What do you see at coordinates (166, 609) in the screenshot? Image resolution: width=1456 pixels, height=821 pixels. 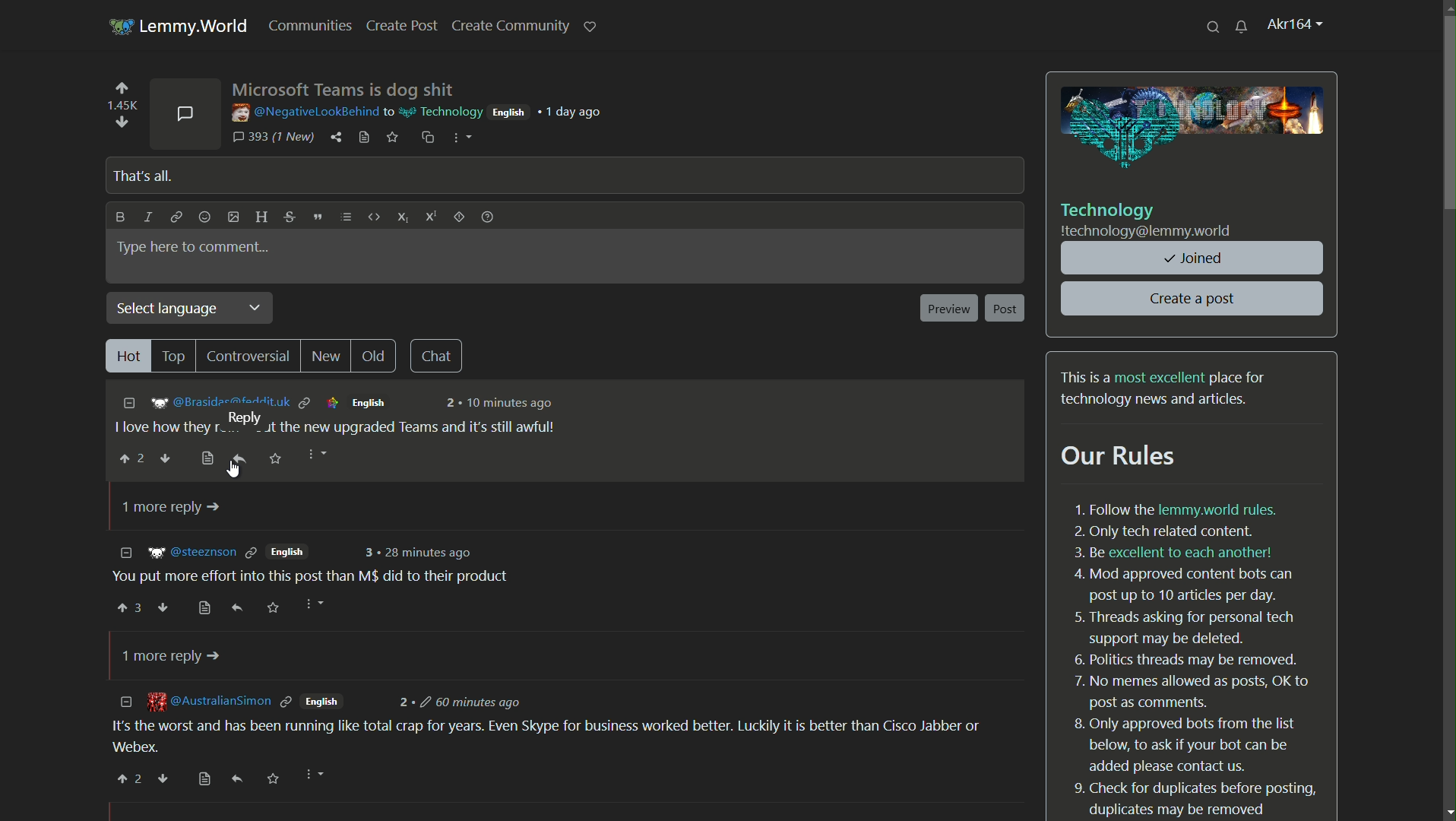 I see `downvote` at bounding box center [166, 609].